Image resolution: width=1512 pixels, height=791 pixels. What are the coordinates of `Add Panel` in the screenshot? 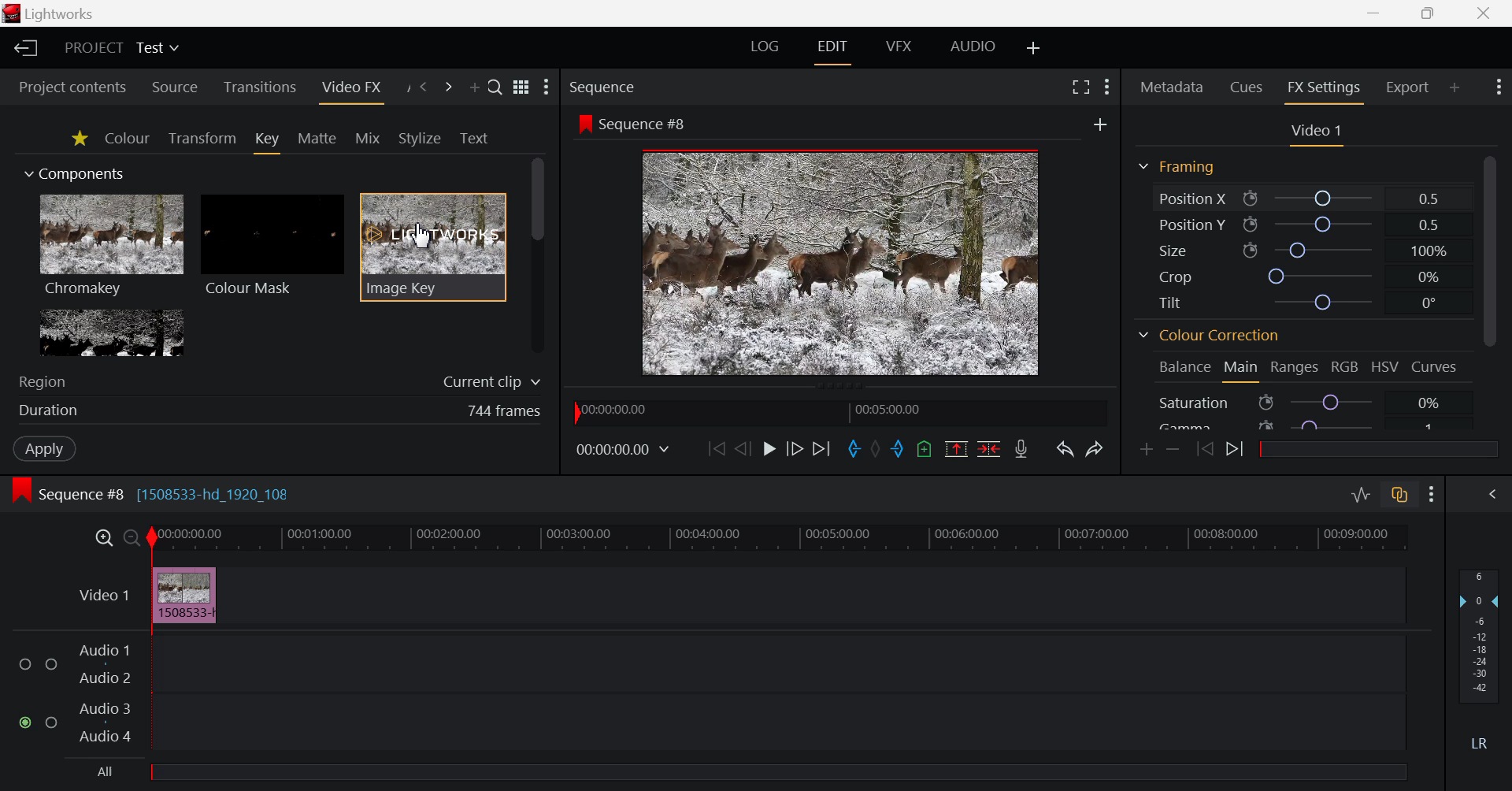 It's located at (1455, 87).